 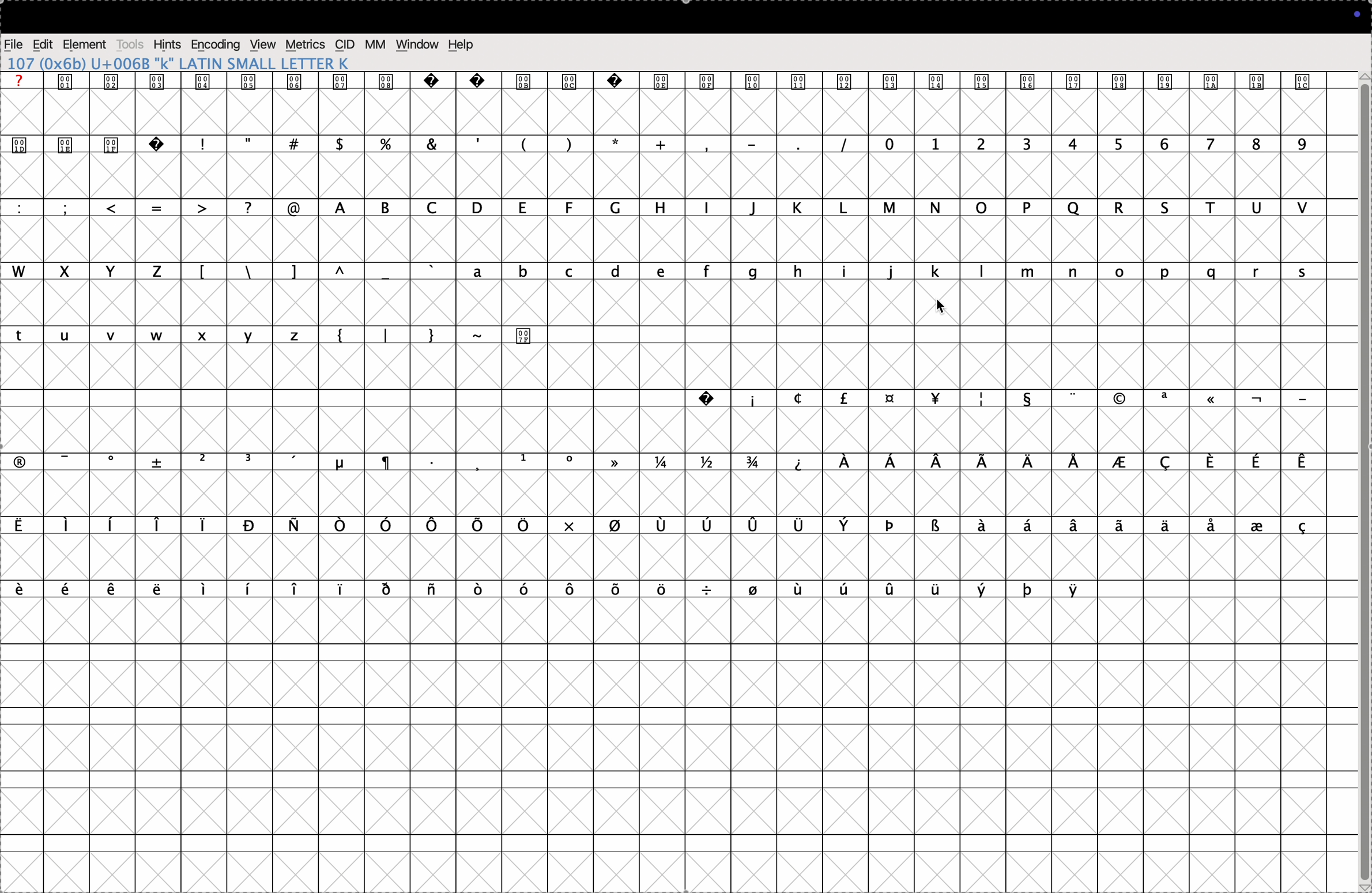 What do you see at coordinates (1032, 269) in the screenshot?
I see `m` at bounding box center [1032, 269].